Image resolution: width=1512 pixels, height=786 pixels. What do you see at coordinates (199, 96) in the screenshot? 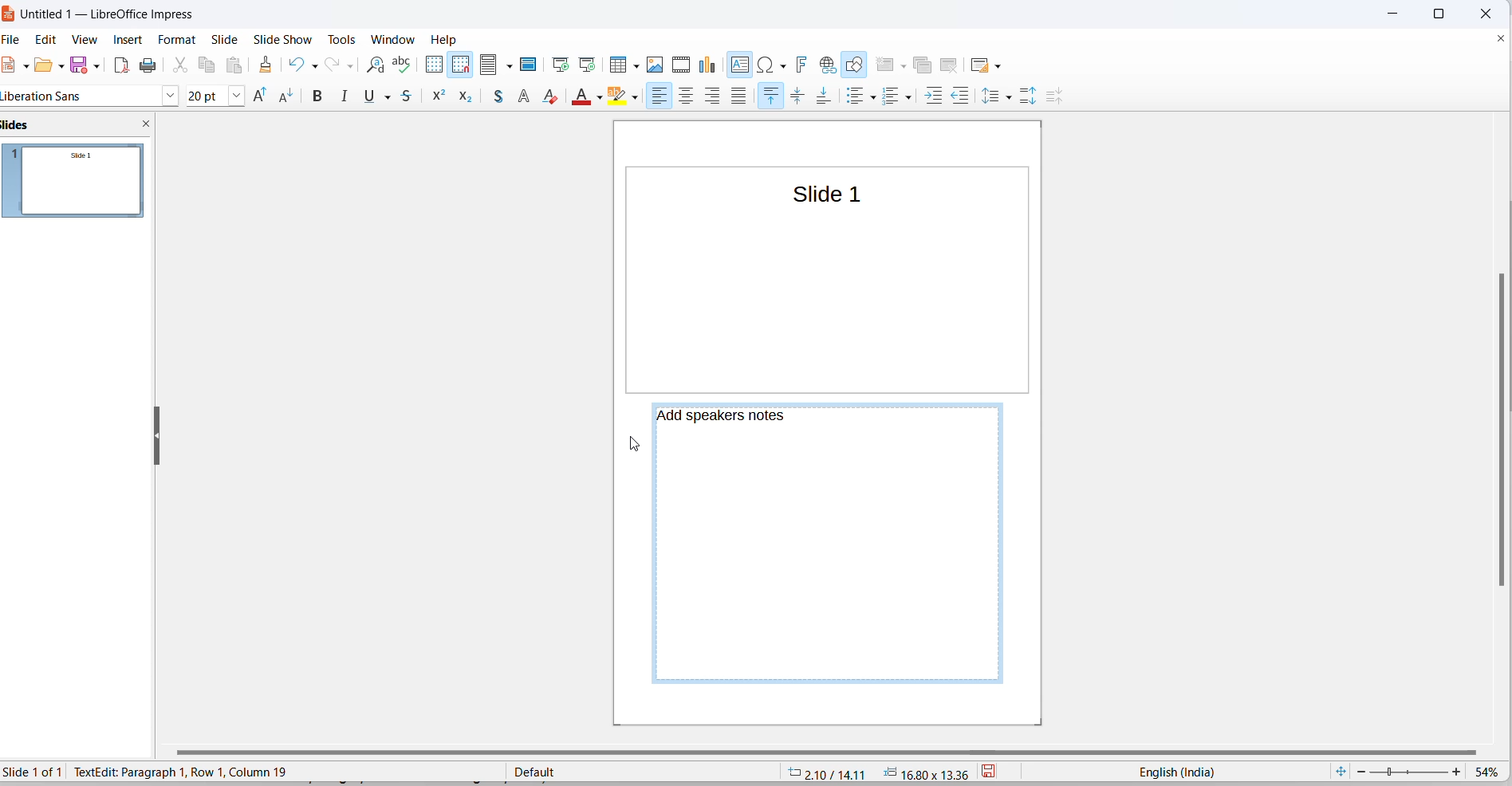
I see `ellipse` at bounding box center [199, 96].